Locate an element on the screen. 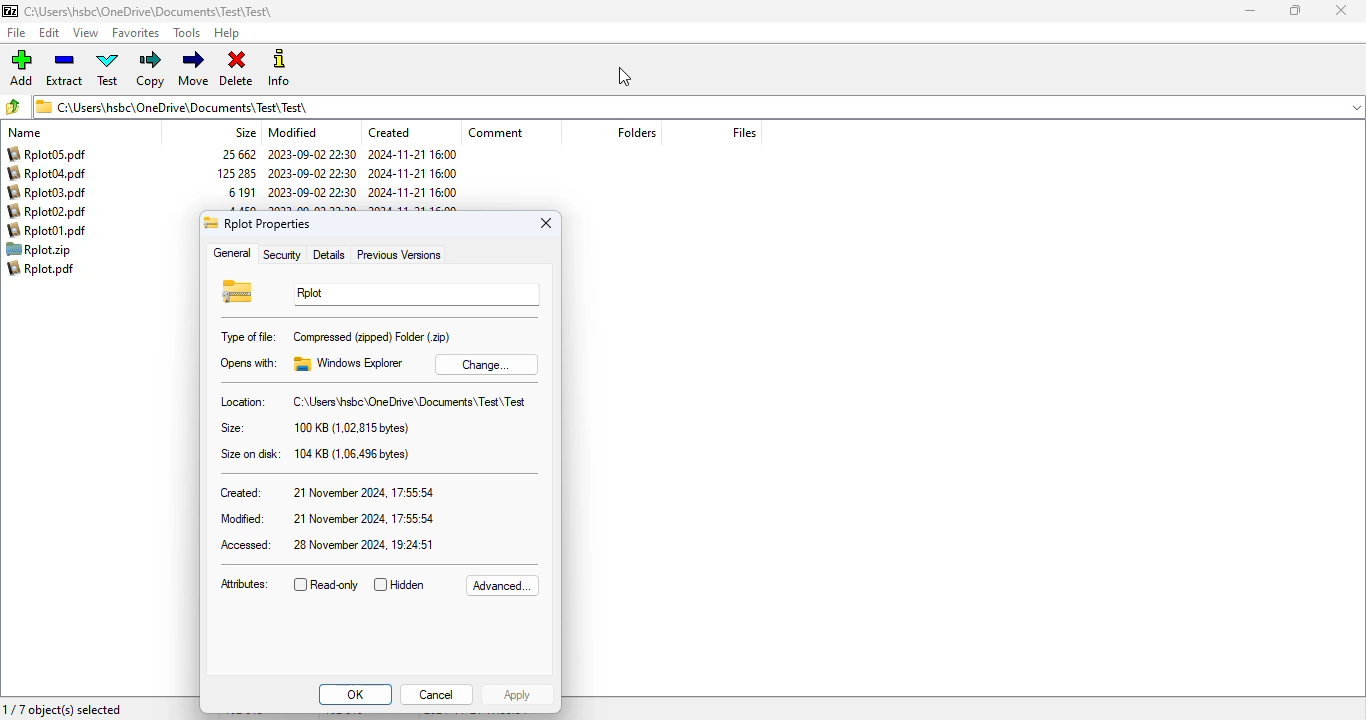 The width and height of the screenshot is (1366, 720). help is located at coordinates (227, 33).